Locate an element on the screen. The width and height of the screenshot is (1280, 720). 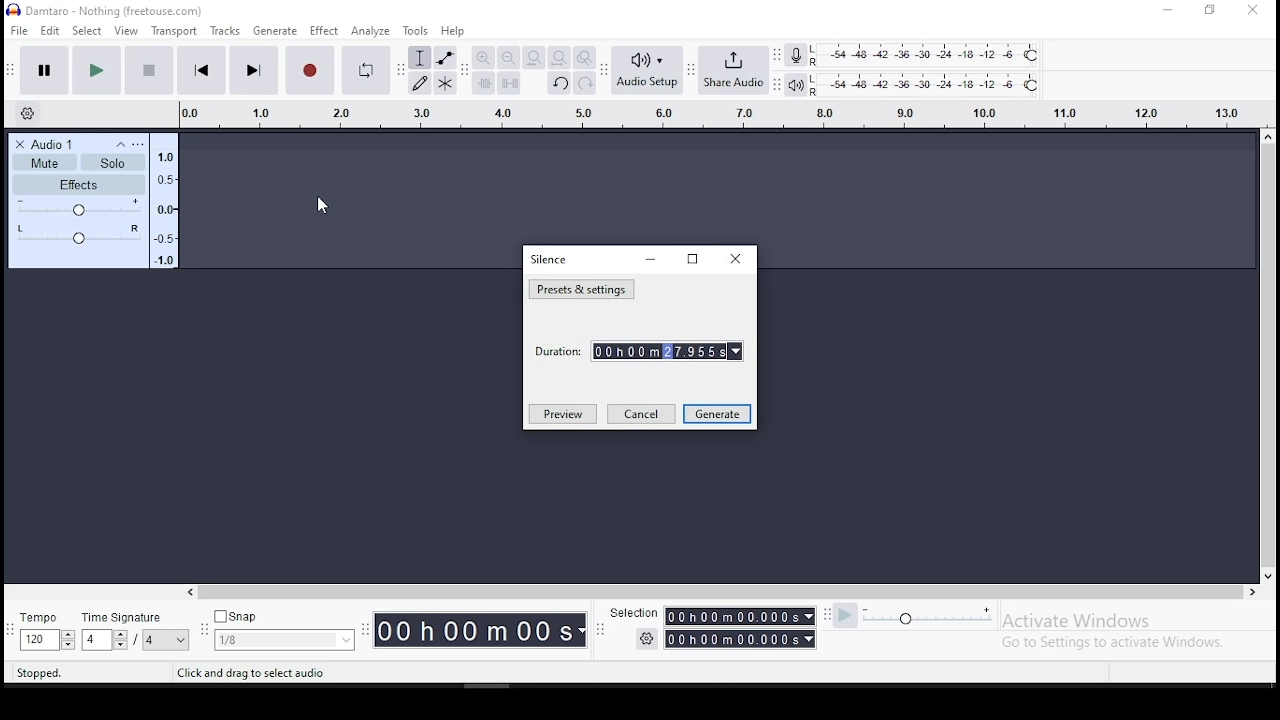
recording level is located at coordinates (927, 54).